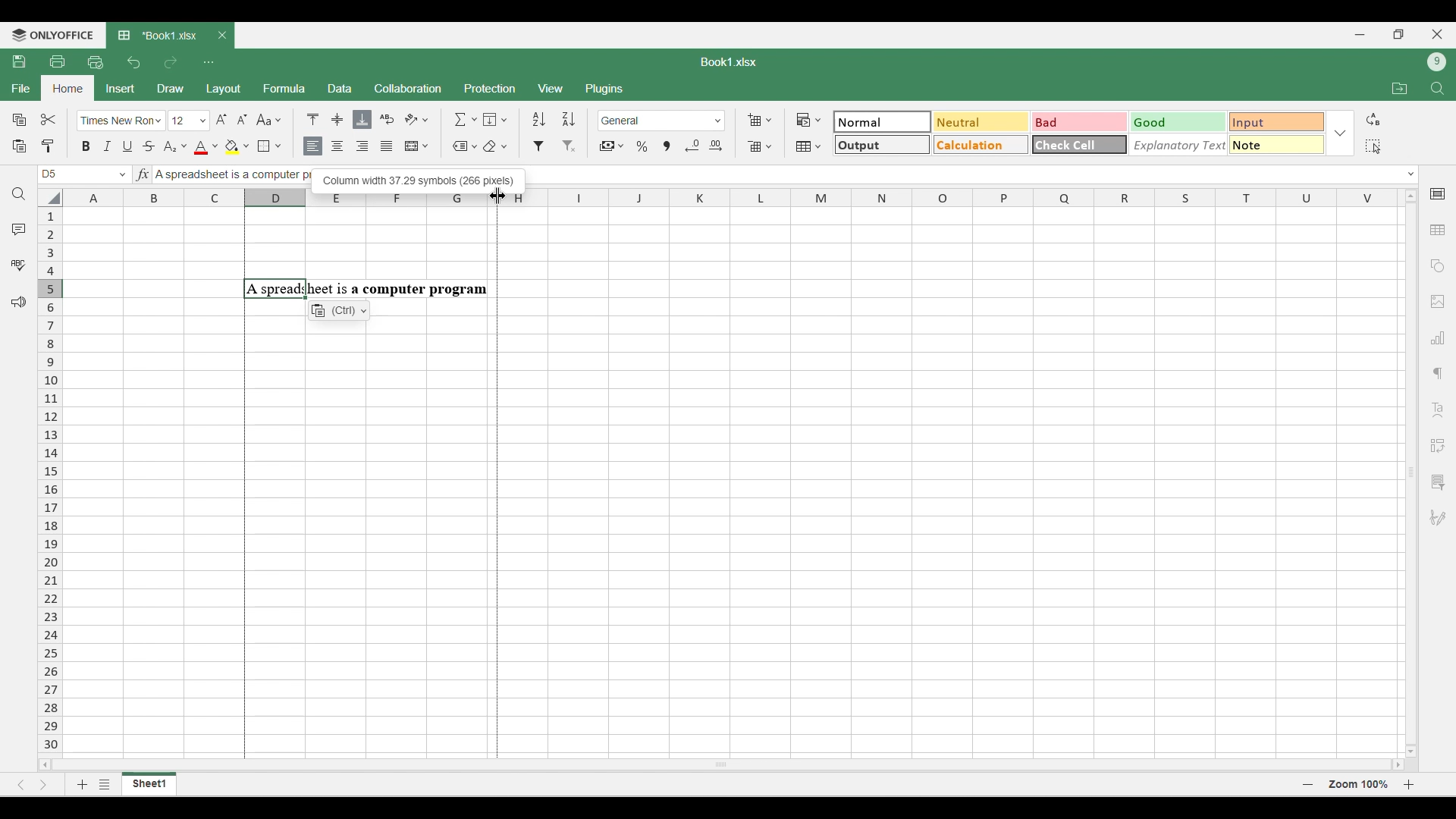 The image size is (1456, 819). Describe the element at coordinates (388, 119) in the screenshot. I see `Wrap text` at that location.